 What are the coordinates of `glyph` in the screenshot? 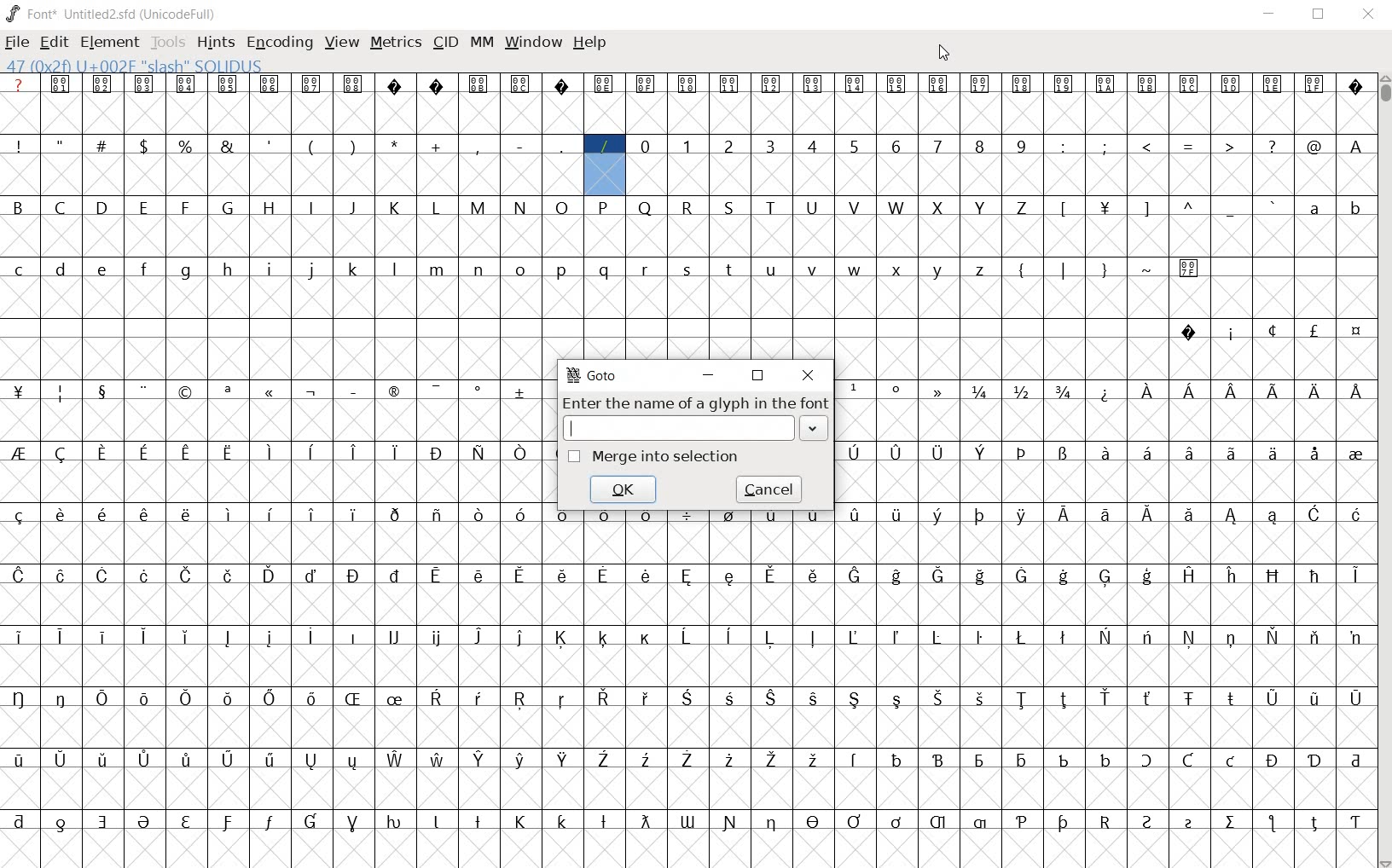 It's located at (1147, 822).